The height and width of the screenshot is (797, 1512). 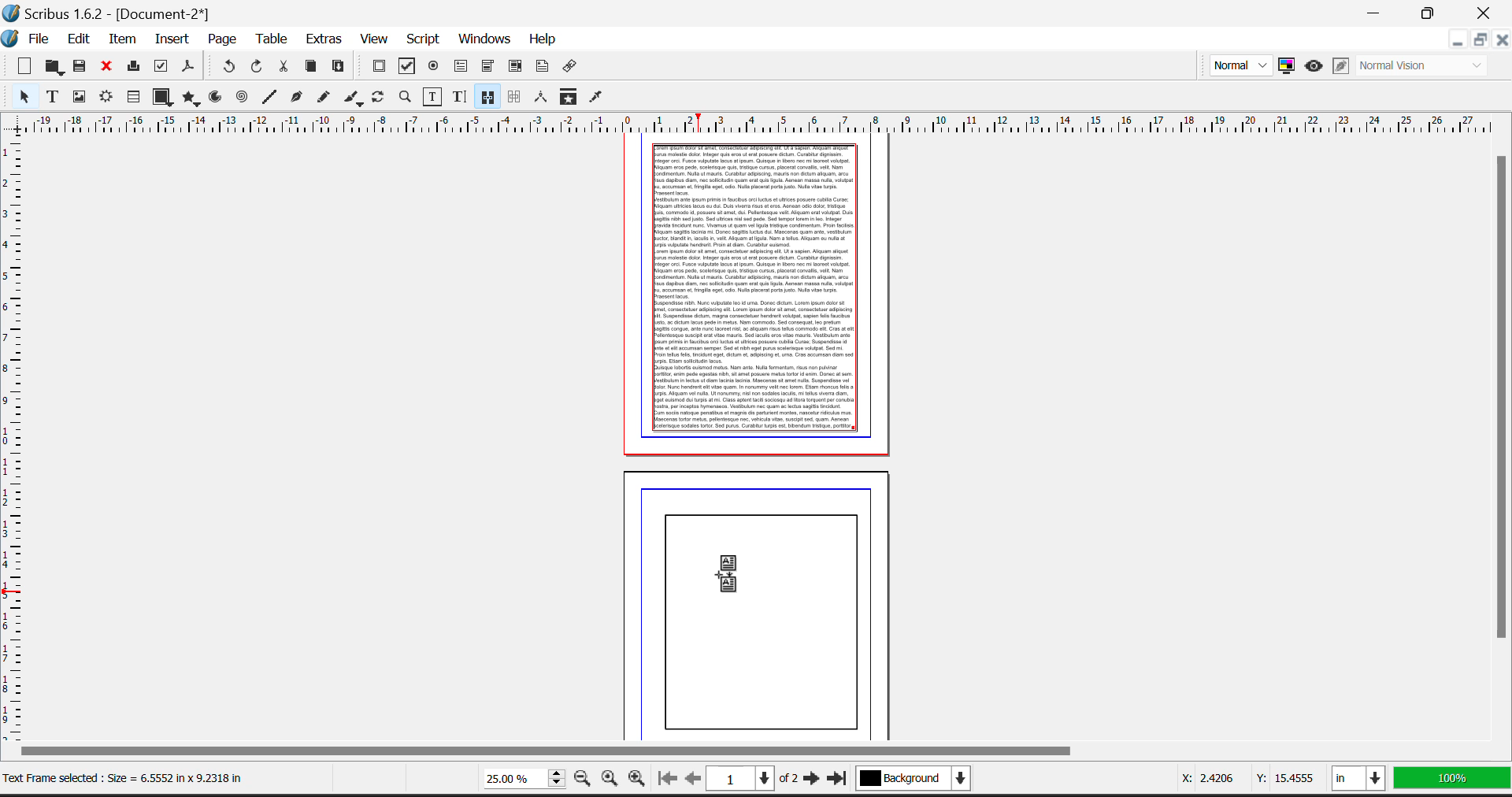 What do you see at coordinates (462, 67) in the screenshot?
I see `PDF Text Field` at bounding box center [462, 67].